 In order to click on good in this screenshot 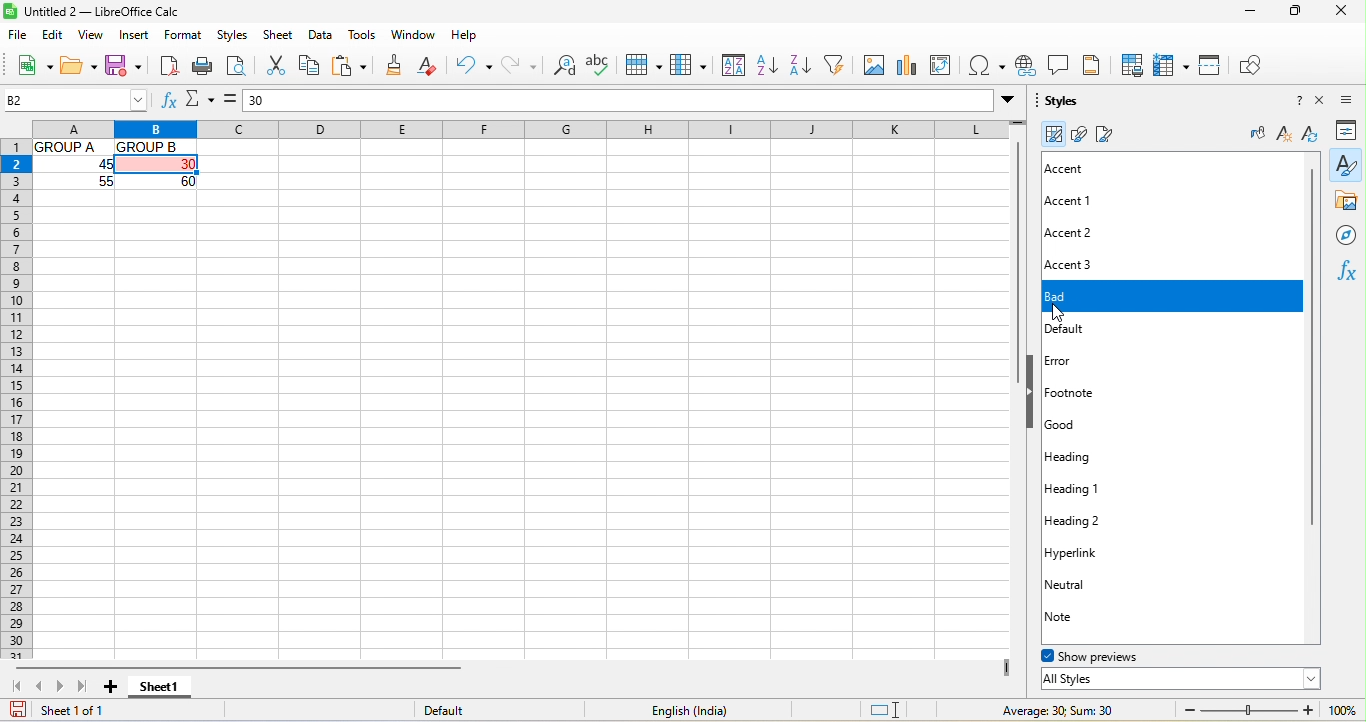, I will do `click(1084, 425)`.